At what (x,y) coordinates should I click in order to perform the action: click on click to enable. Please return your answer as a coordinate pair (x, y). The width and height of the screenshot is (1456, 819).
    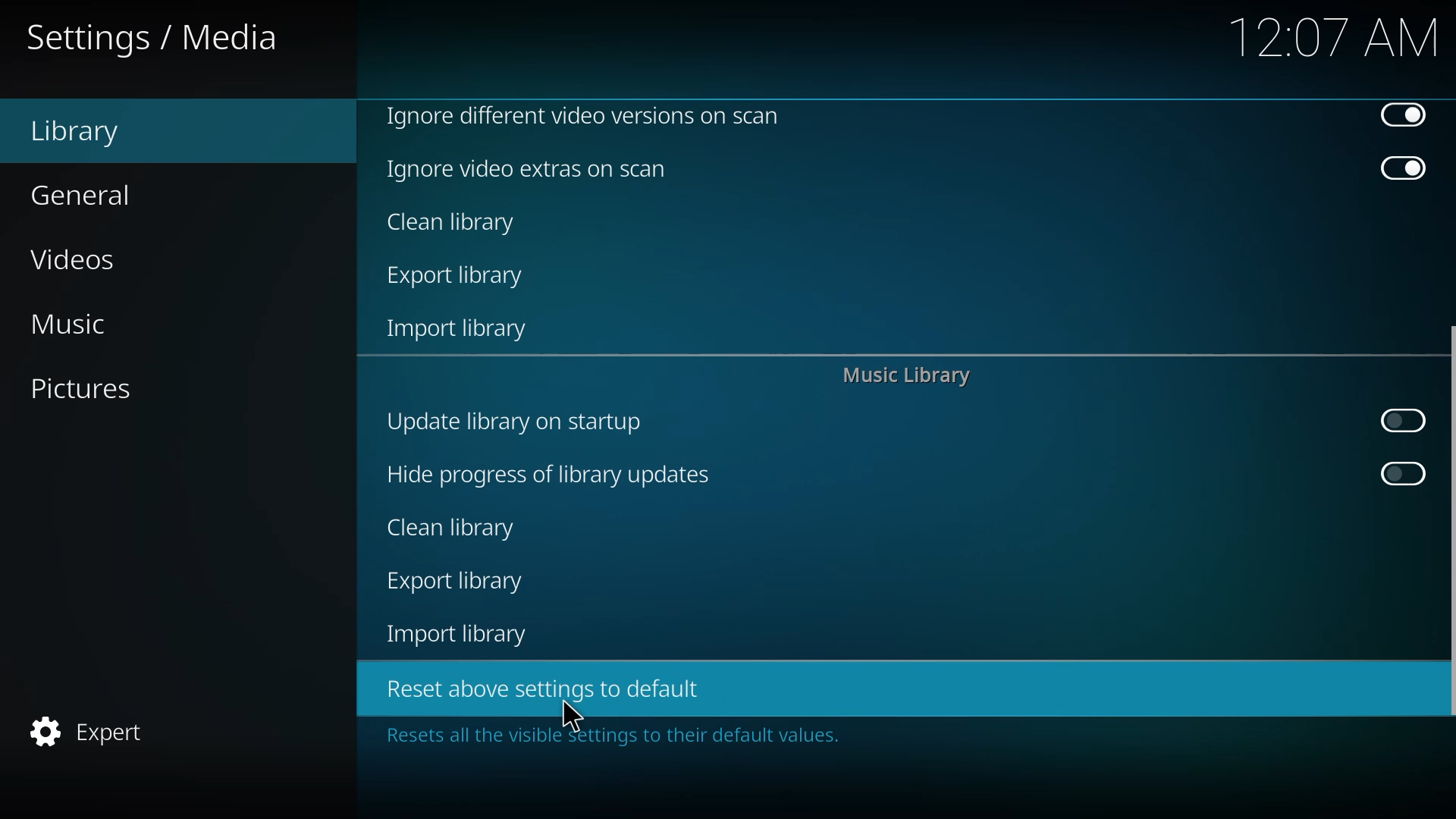
    Looking at the image, I should click on (1398, 421).